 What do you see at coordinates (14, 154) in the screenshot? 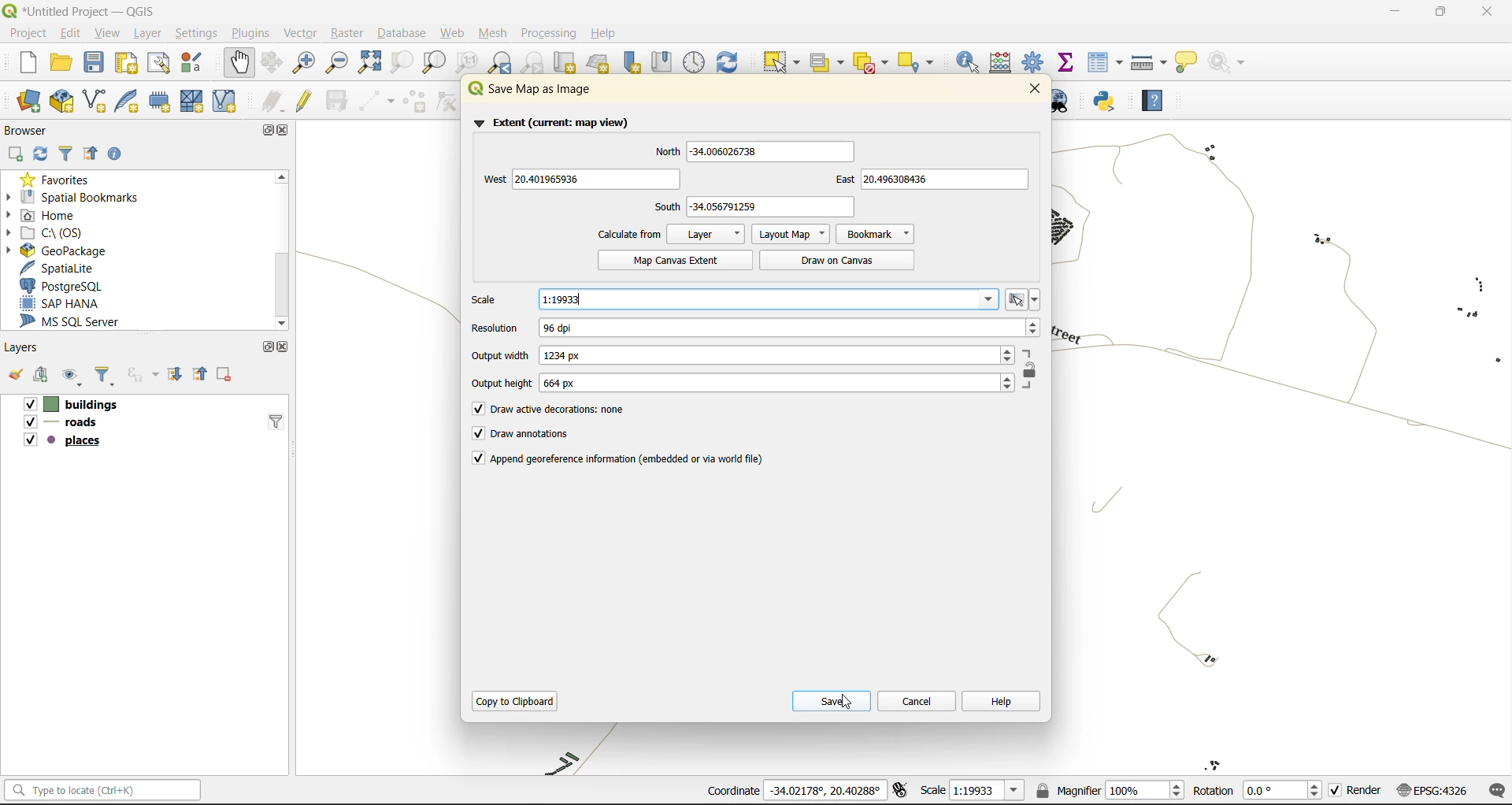
I see `add` at bounding box center [14, 154].